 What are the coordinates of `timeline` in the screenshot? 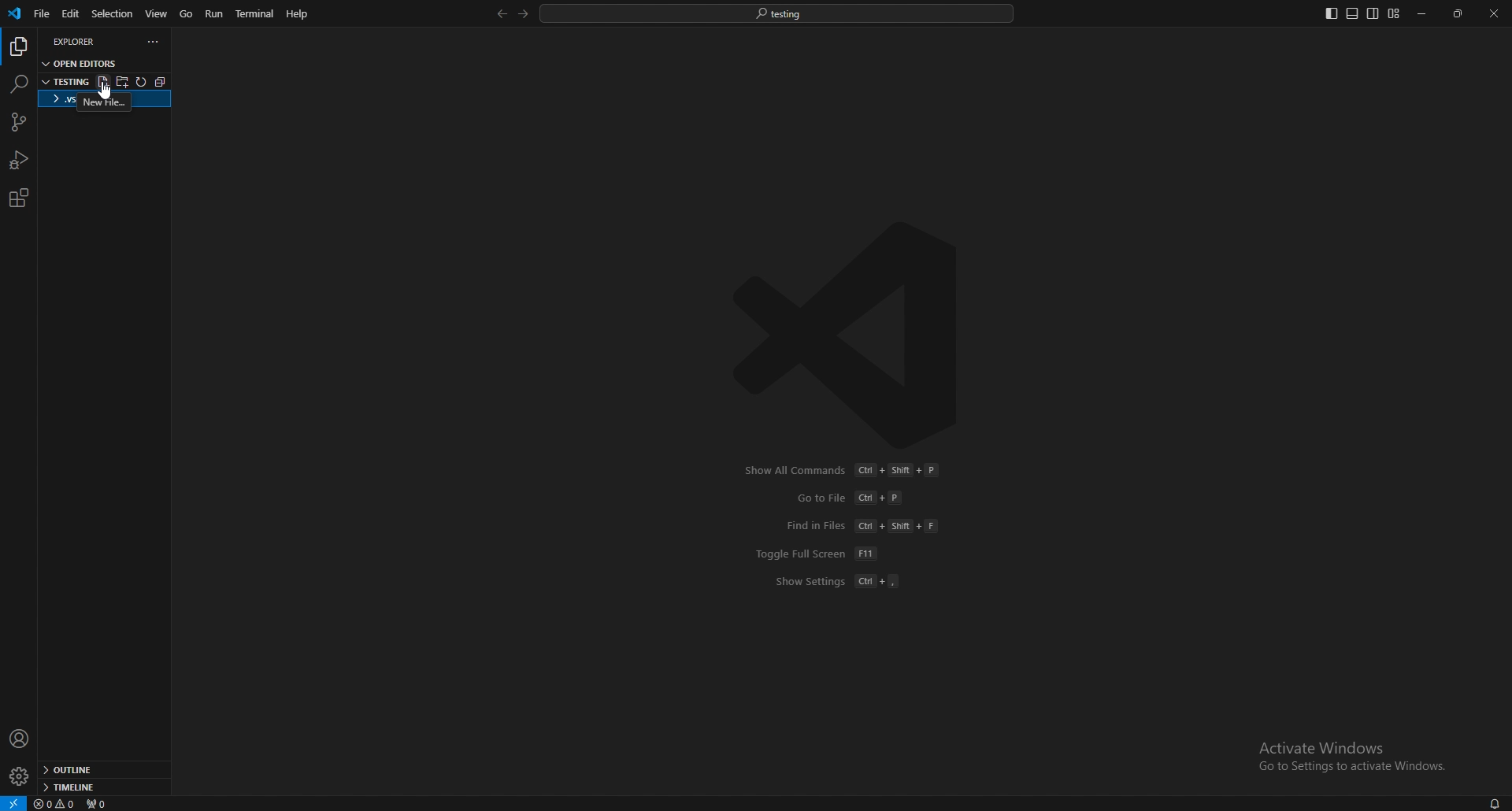 It's located at (99, 787).